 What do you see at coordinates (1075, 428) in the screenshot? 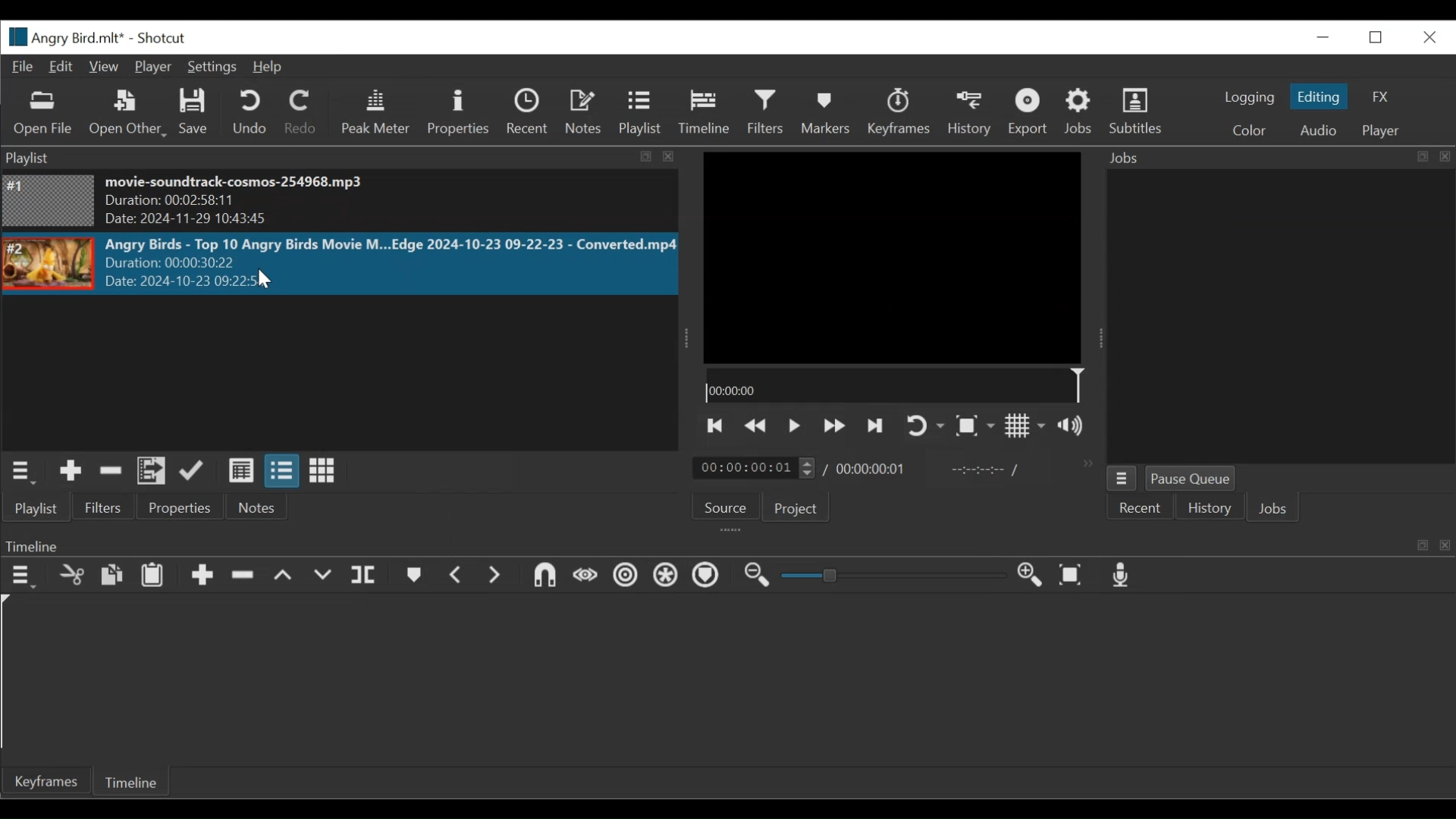
I see `Show volume control` at bounding box center [1075, 428].